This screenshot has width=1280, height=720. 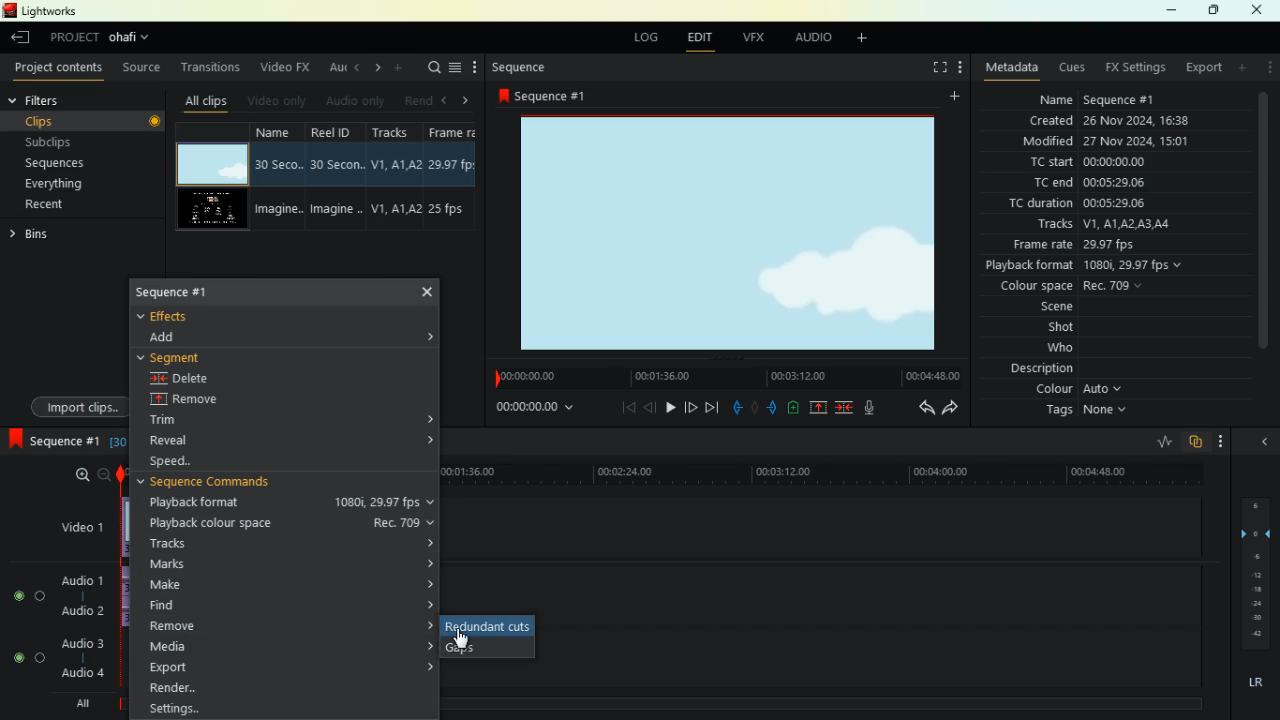 What do you see at coordinates (750, 37) in the screenshot?
I see `vfx` at bounding box center [750, 37].